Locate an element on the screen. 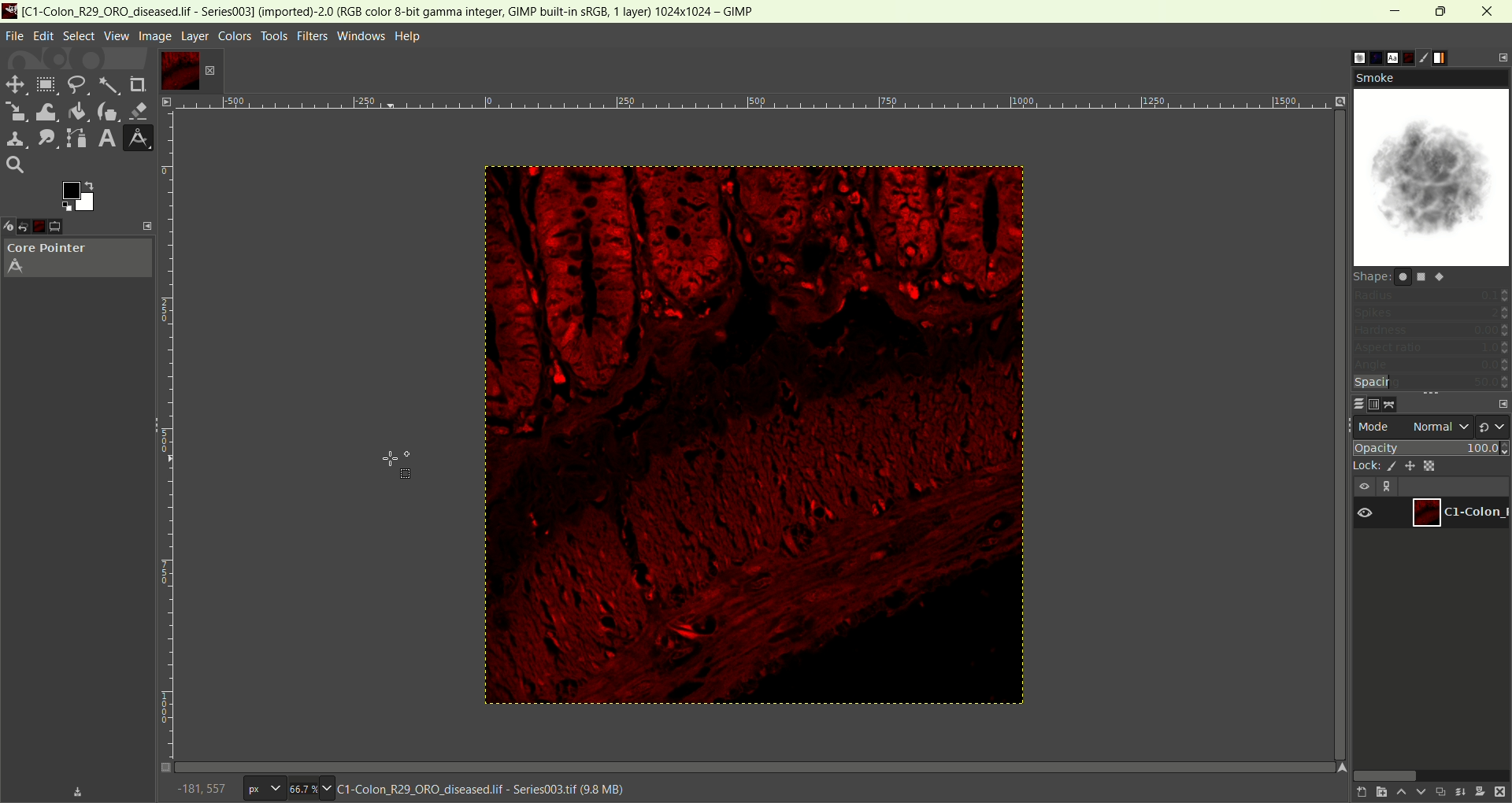 The image size is (1512, 803). crop is located at coordinates (139, 85).